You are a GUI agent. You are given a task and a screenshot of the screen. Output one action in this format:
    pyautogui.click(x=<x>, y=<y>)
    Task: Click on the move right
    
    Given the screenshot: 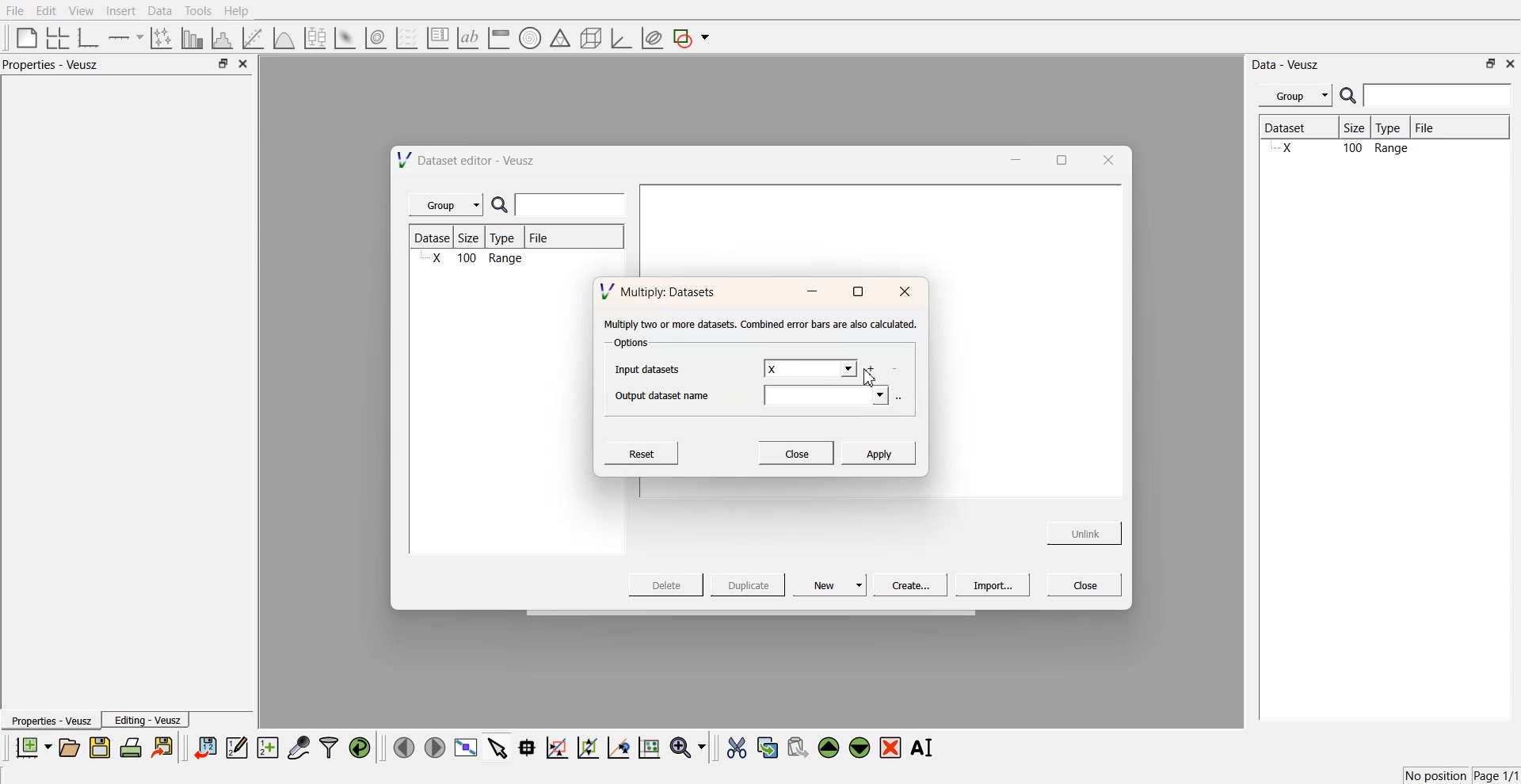 What is the action you would take?
    pyautogui.click(x=434, y=746)
    